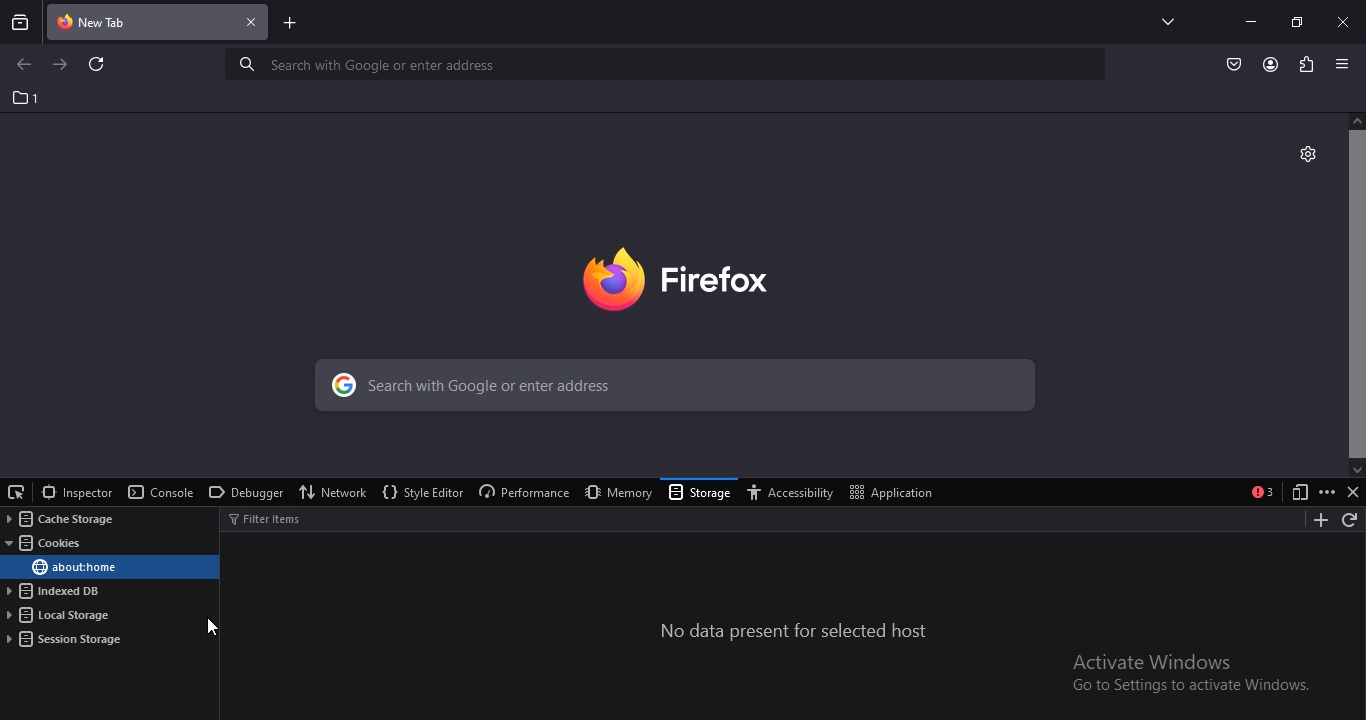  I want to click on storage, so click(701, 494).